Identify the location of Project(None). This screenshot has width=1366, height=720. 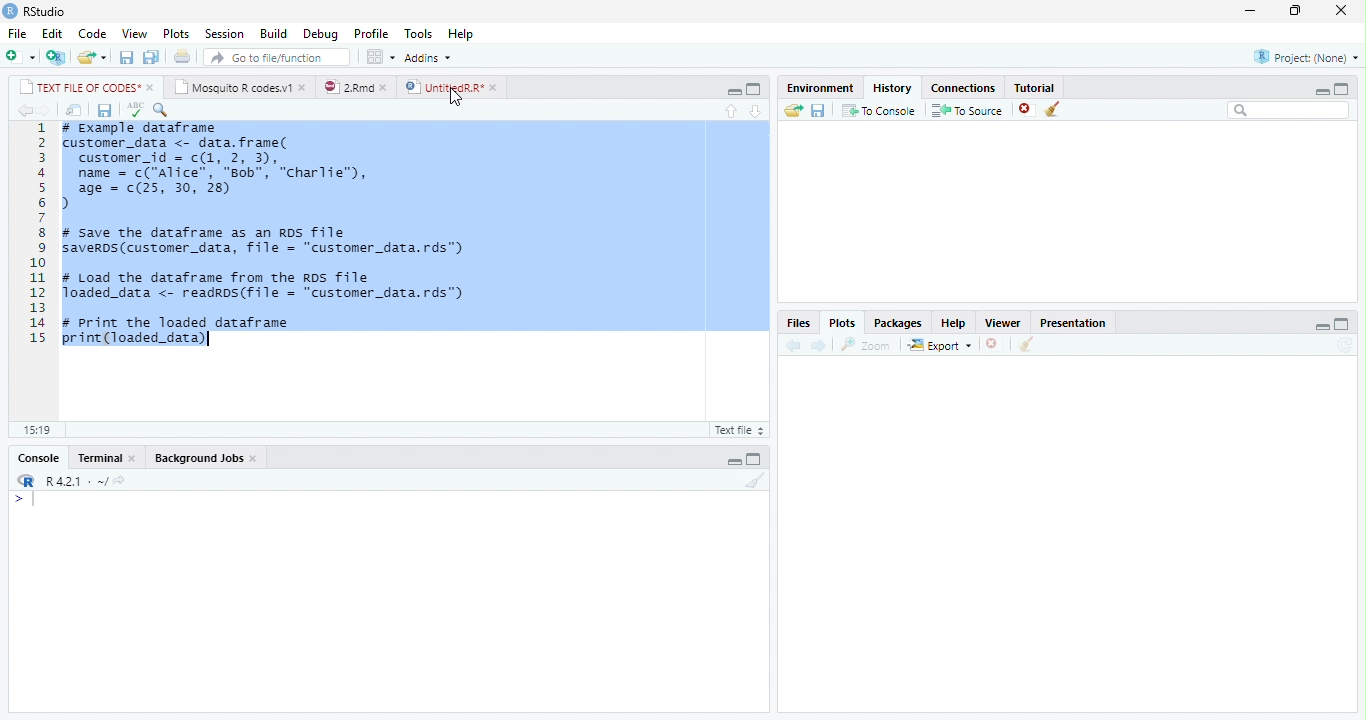
(1307, 57).